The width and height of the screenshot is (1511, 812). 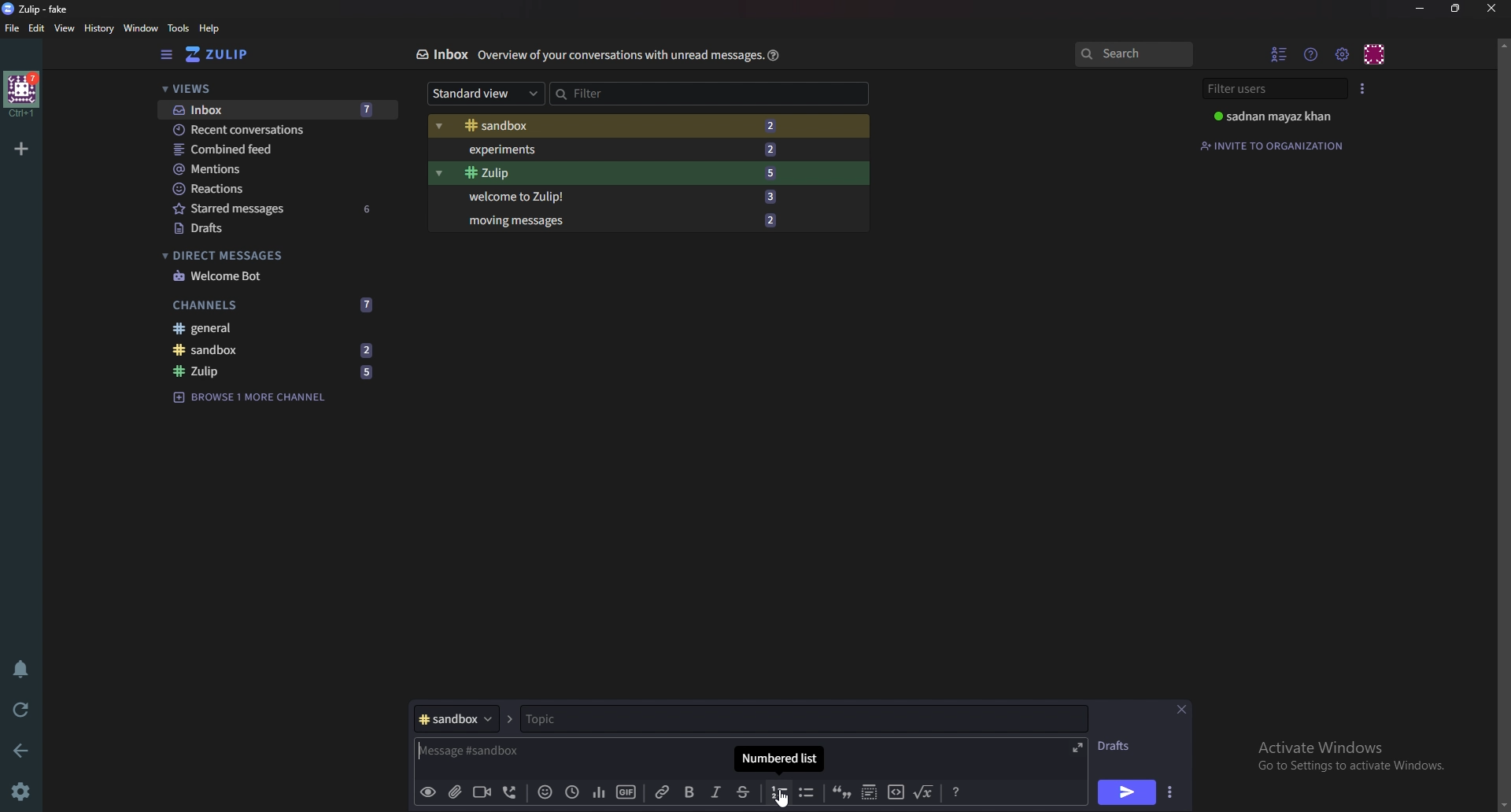 What do you see at coordinates (1127, 792) in the screenshot?
I see `Send` at bounding box center [1127, 792].